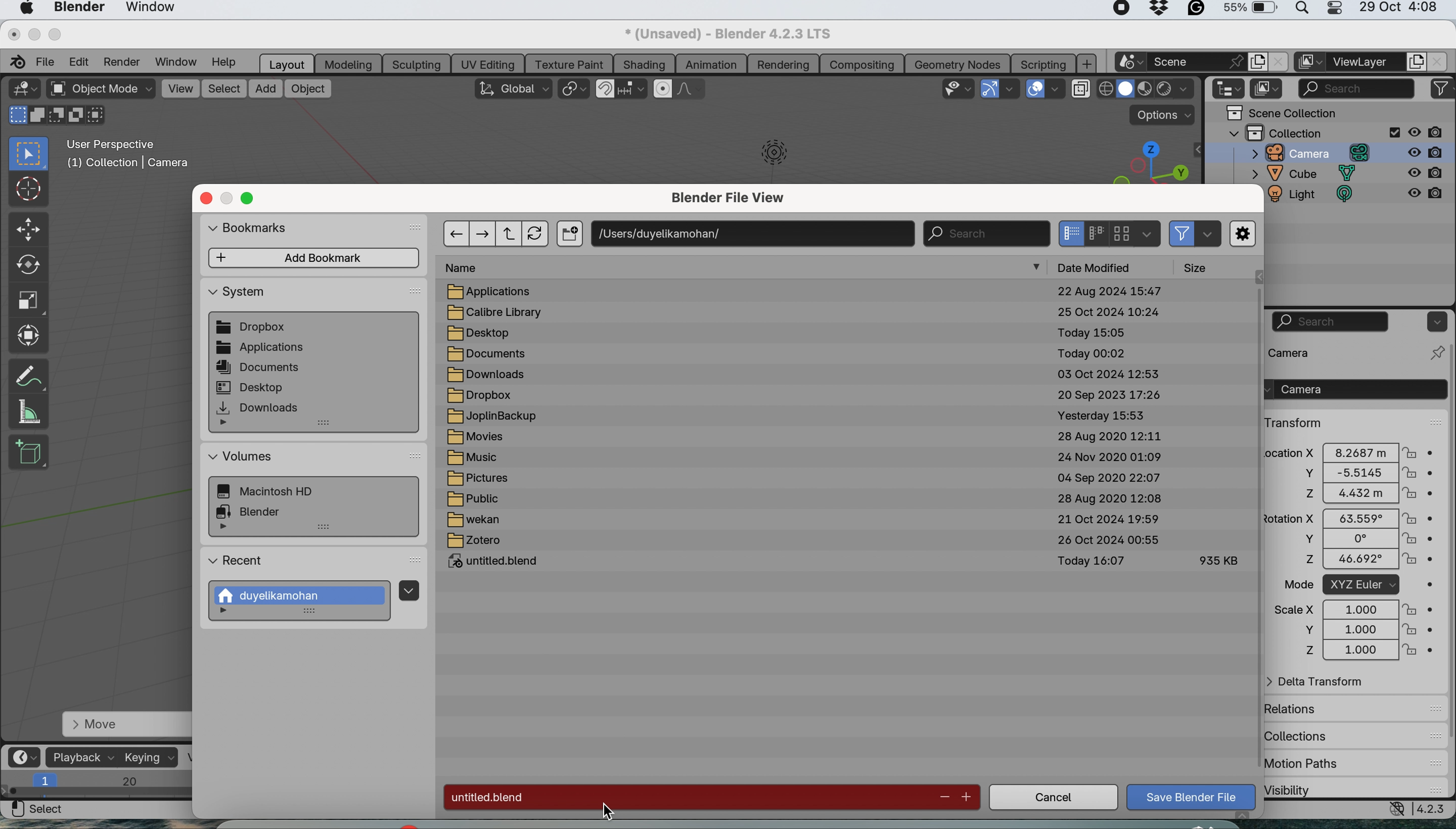 The image size is (1456, 829). I want to click on desktop, so click(251, 387).